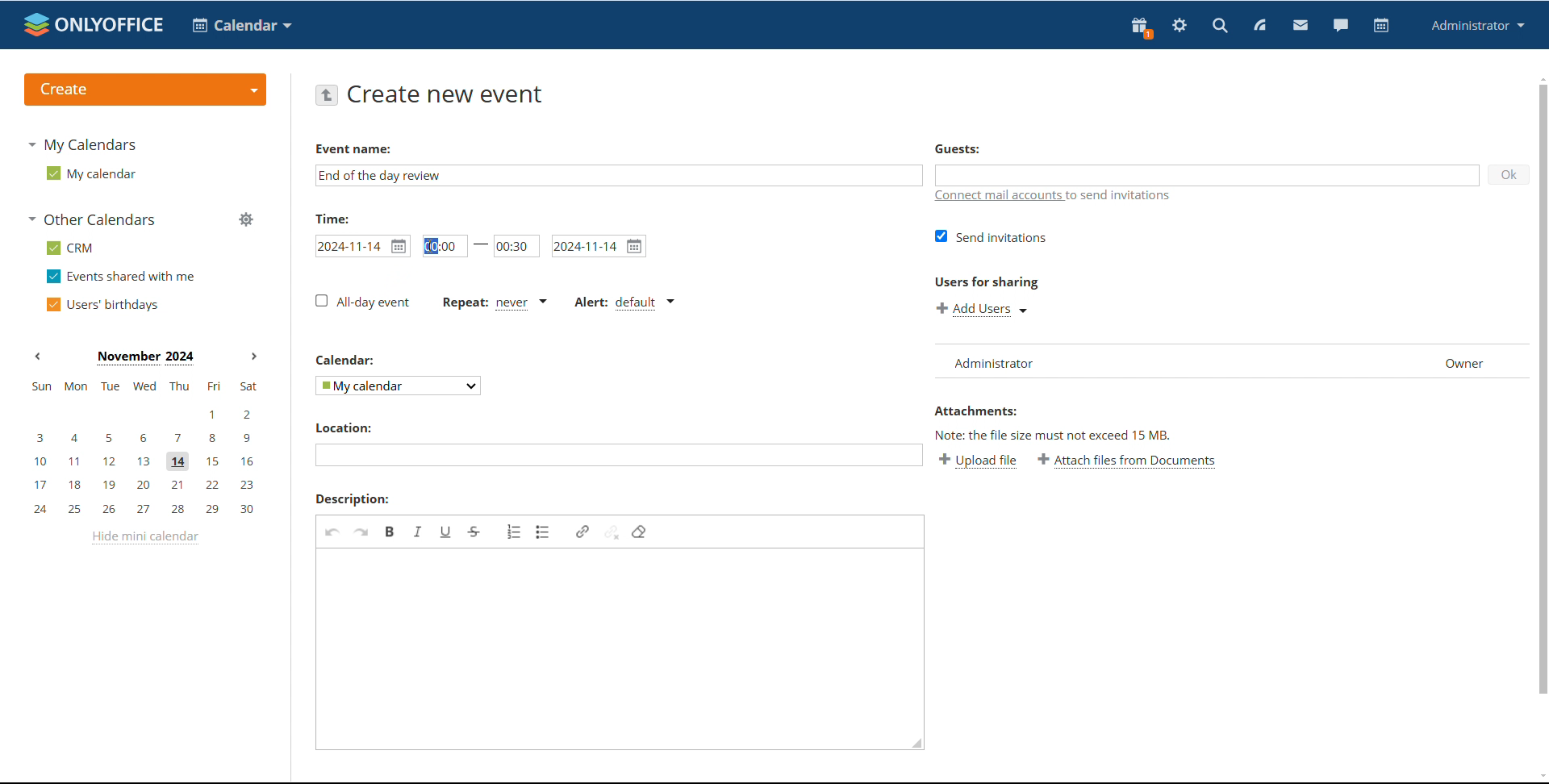 The width and height of the screenshot is (1549, 784). Describe the element at coordinates (145, 358) in the screenshot. I see `Month on display` at that location.